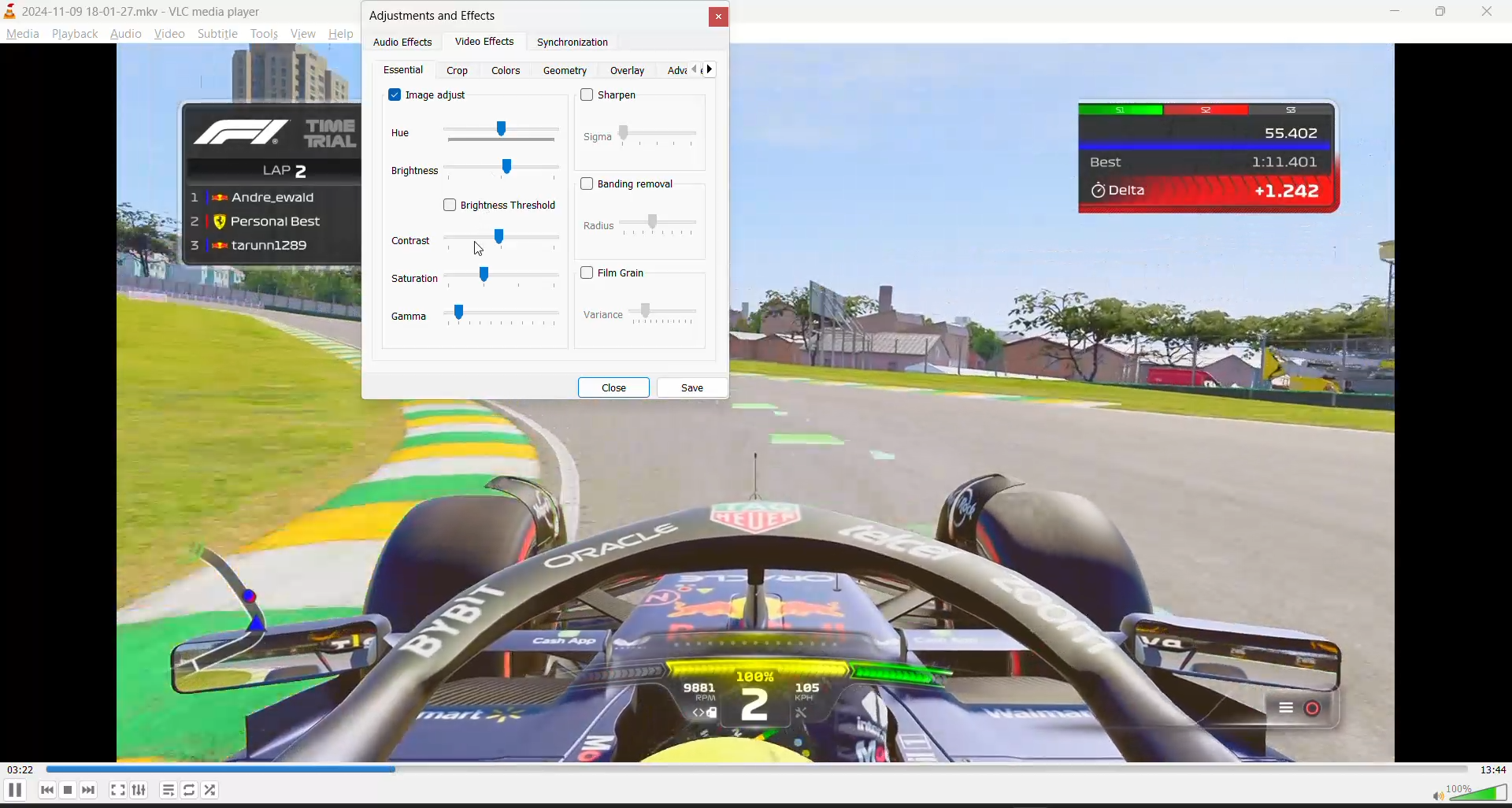  What do you see at coordinates (632, 185) in the screenshot?
I see `banding removal` at bounding box center [632, 185].